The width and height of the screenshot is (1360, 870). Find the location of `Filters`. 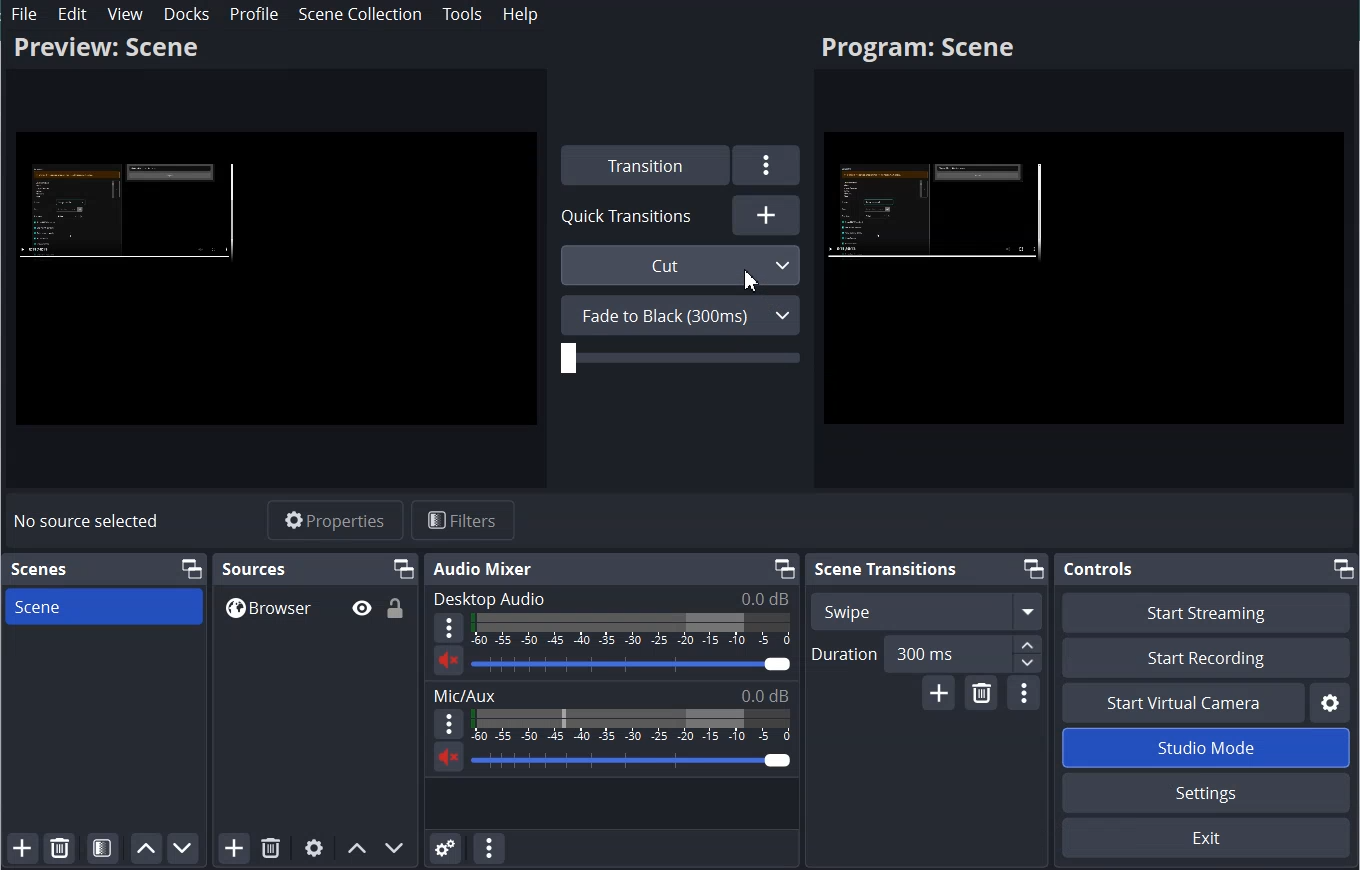

Filters is located at coordinates (463, 519).